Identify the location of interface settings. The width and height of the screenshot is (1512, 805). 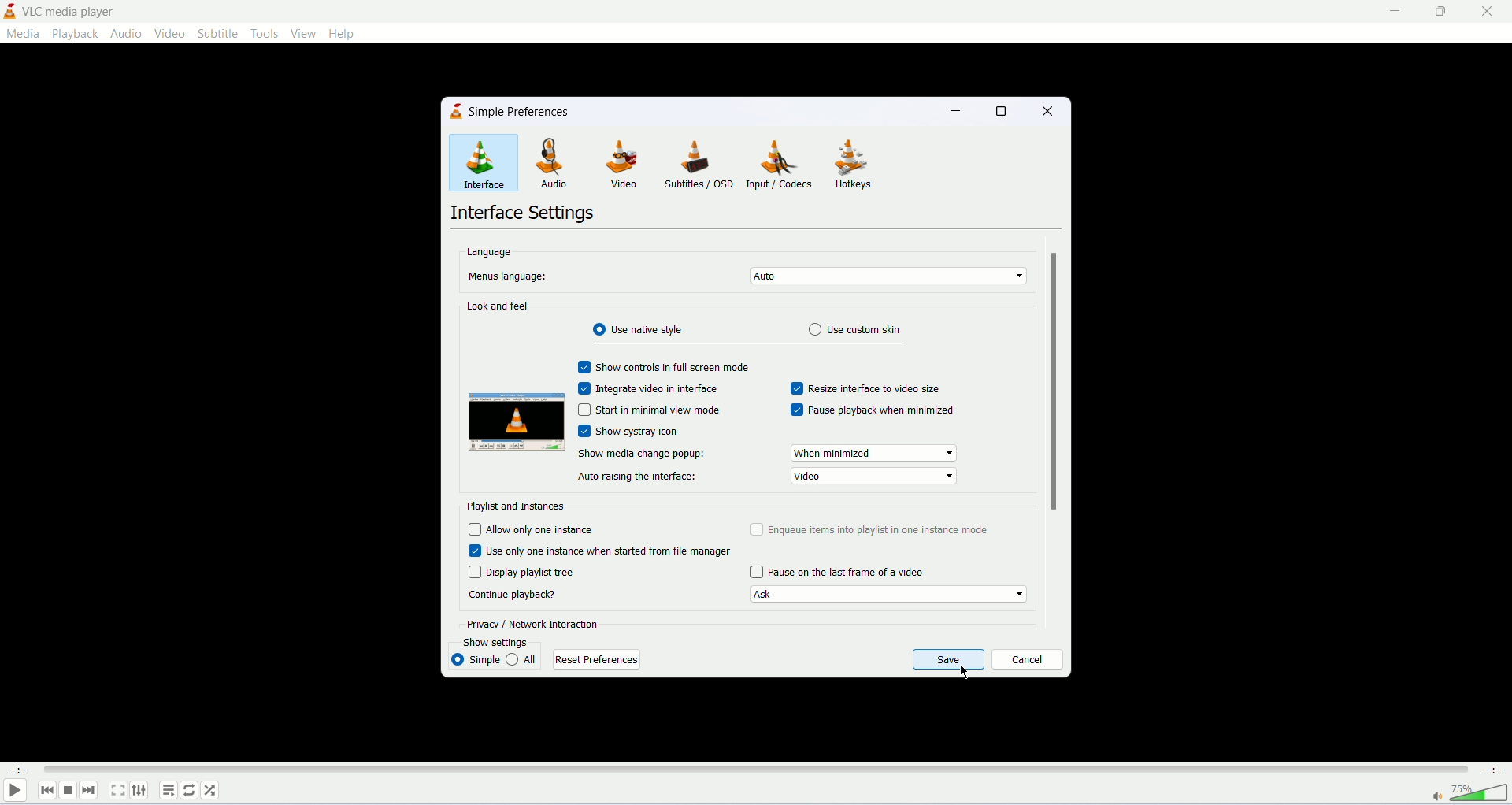
(521, 216).